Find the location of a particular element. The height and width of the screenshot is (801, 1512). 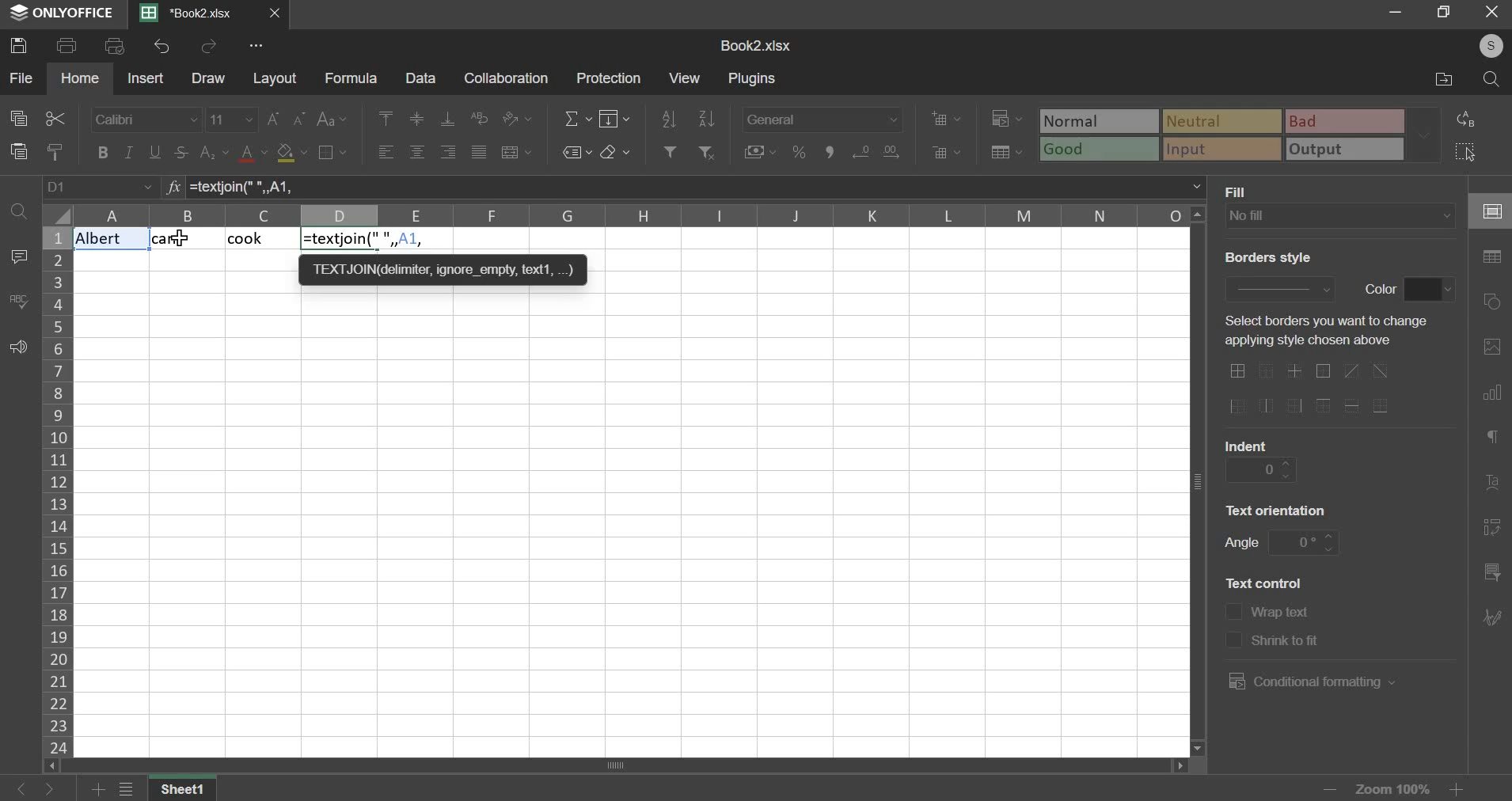

picture or video is located at coordinates (1491, 348).